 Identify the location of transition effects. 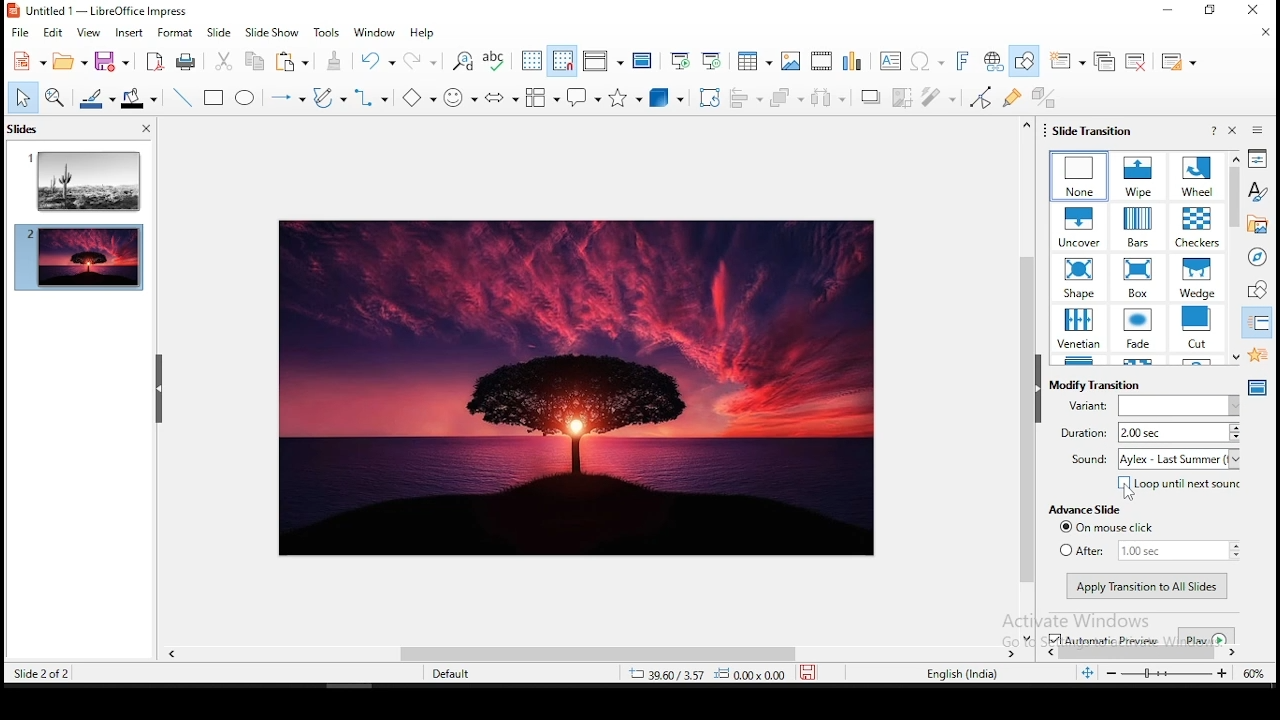
(1200, 176).